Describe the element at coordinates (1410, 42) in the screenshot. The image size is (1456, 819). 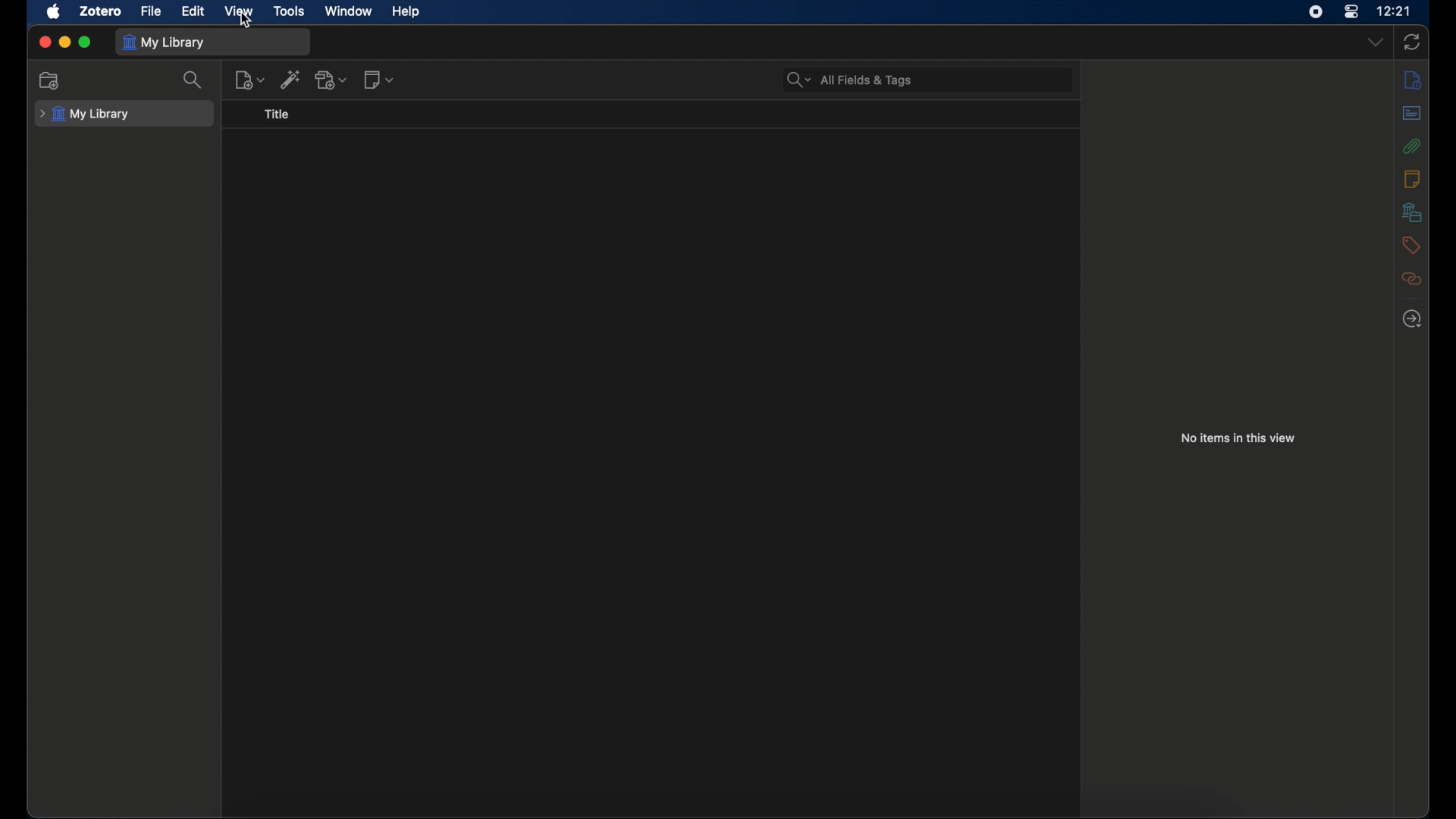
I see `sync` at that location.